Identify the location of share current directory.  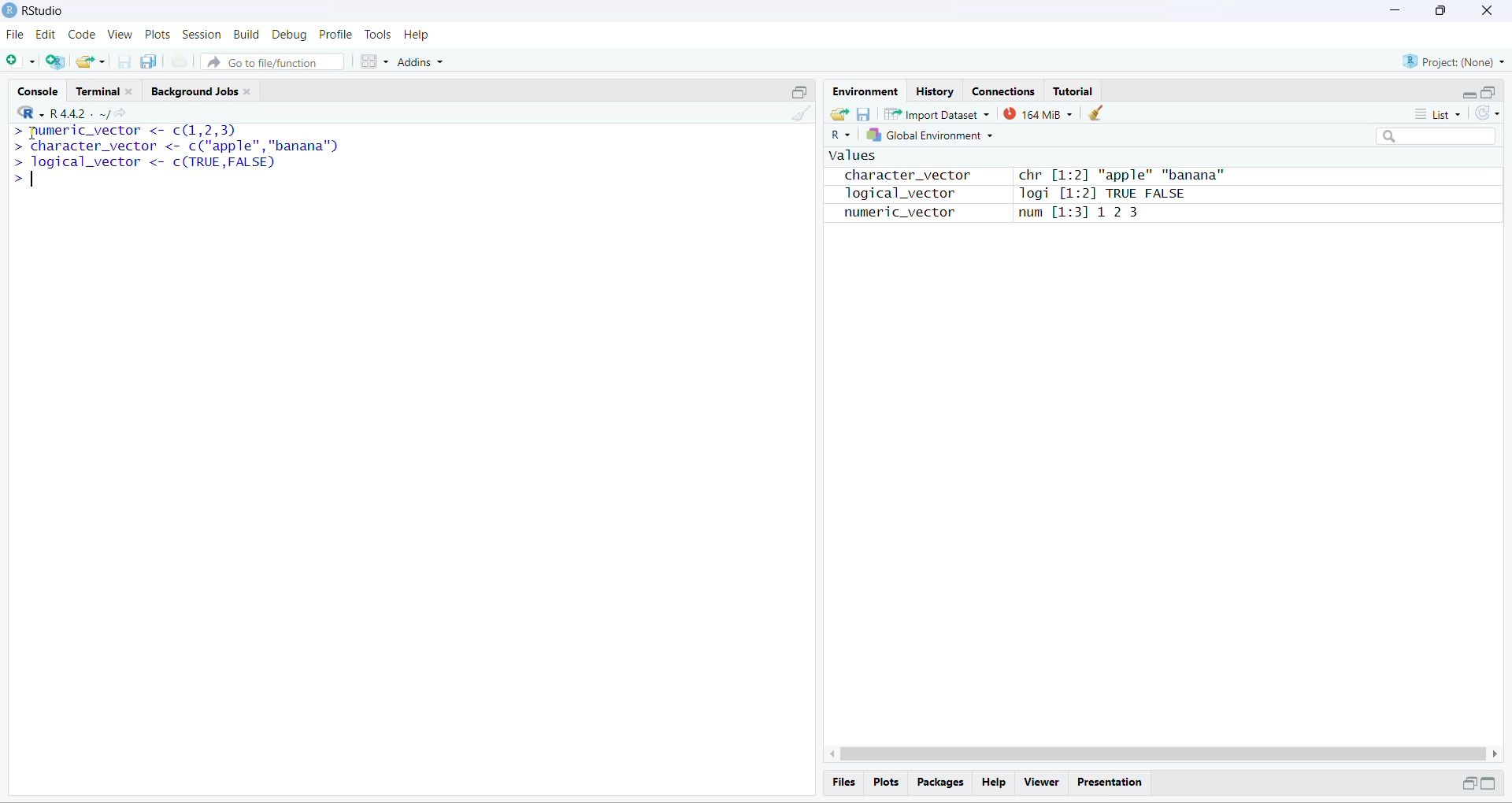
(113, 116).